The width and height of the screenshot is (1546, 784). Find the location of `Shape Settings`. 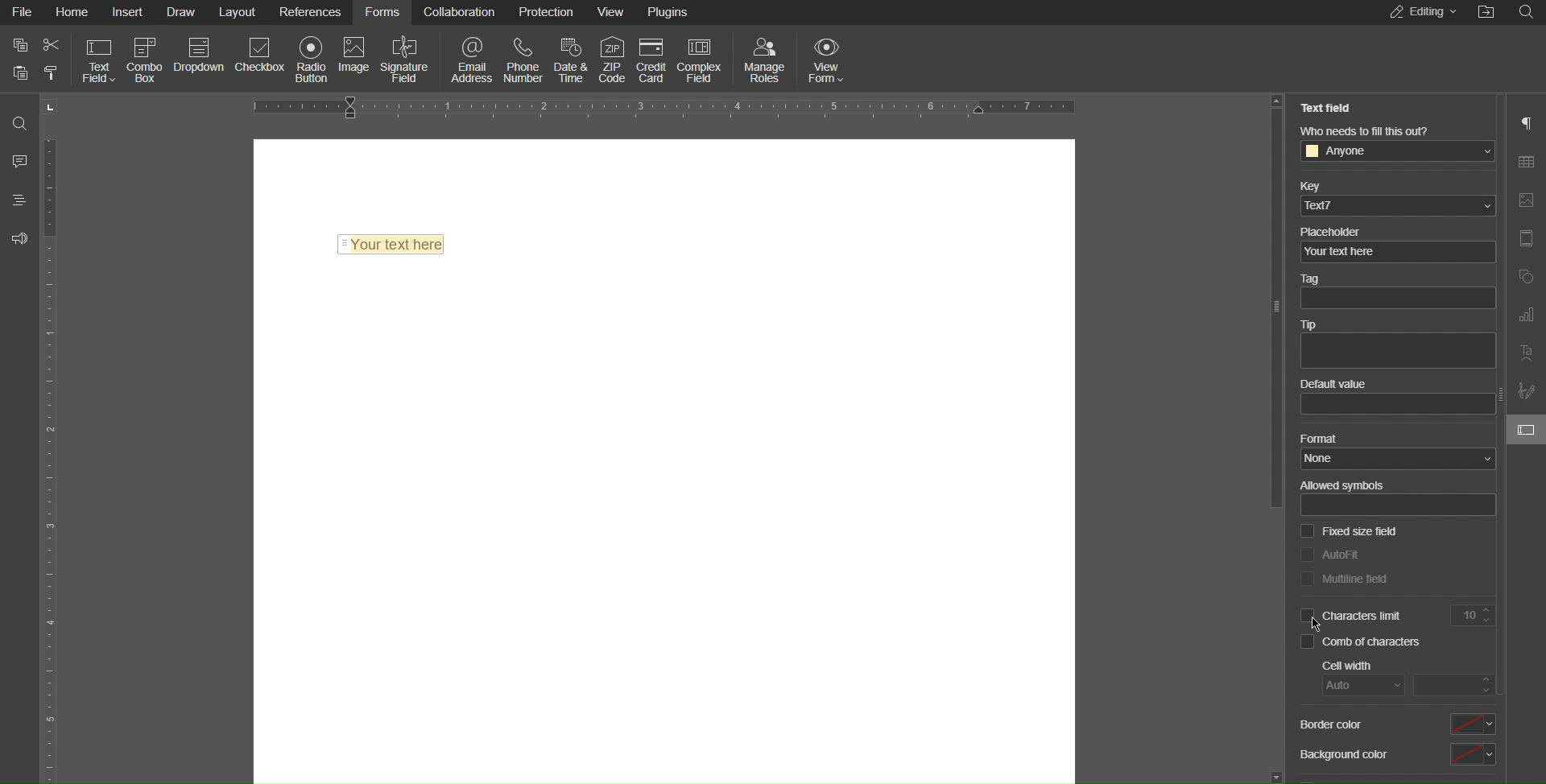

Shape Settings is located at coordinates (1526, 275).